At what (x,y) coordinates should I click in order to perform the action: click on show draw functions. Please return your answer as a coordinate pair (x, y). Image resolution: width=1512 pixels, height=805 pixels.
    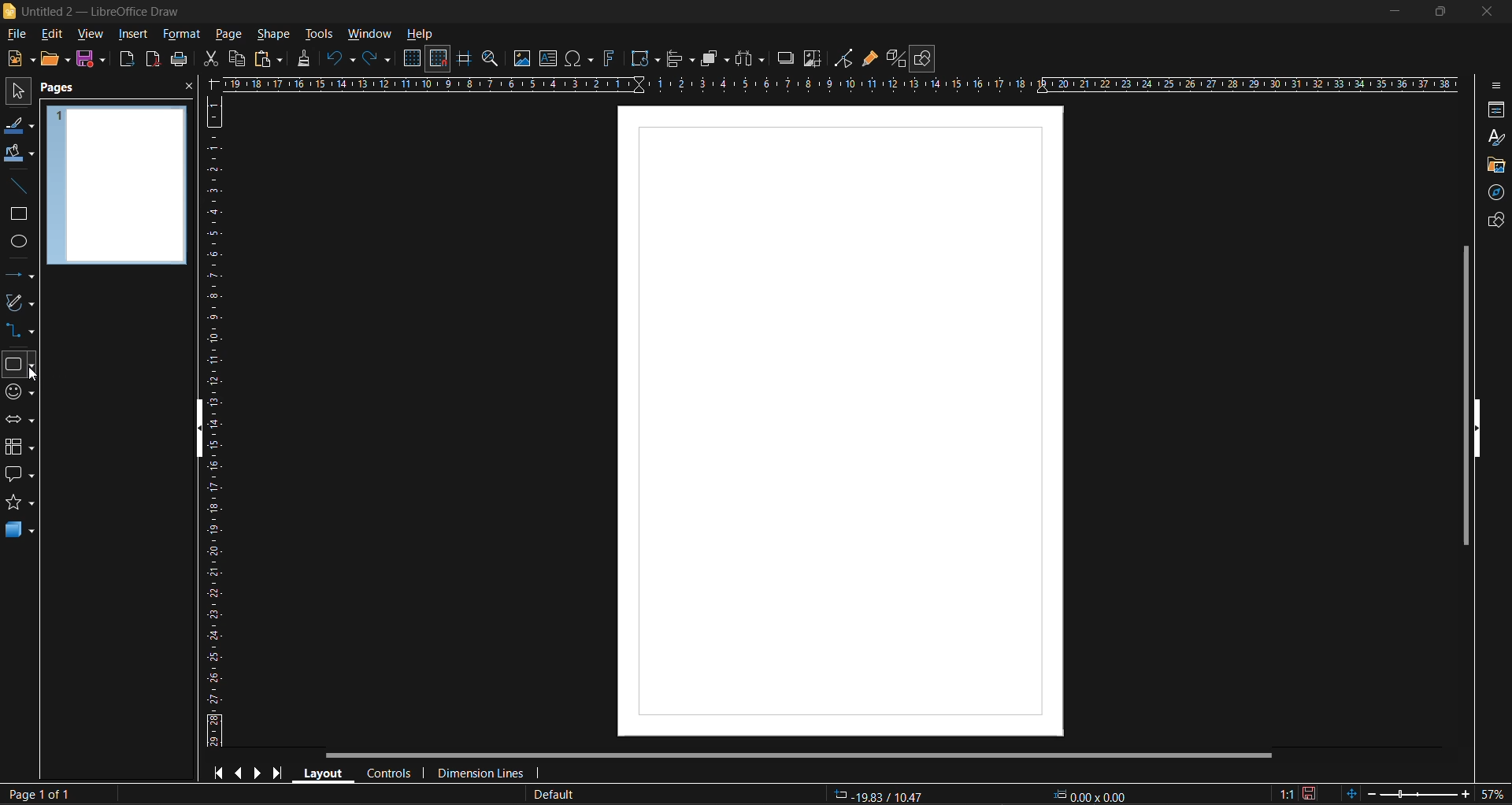
    Looking at the image, I should click on (925, 59).